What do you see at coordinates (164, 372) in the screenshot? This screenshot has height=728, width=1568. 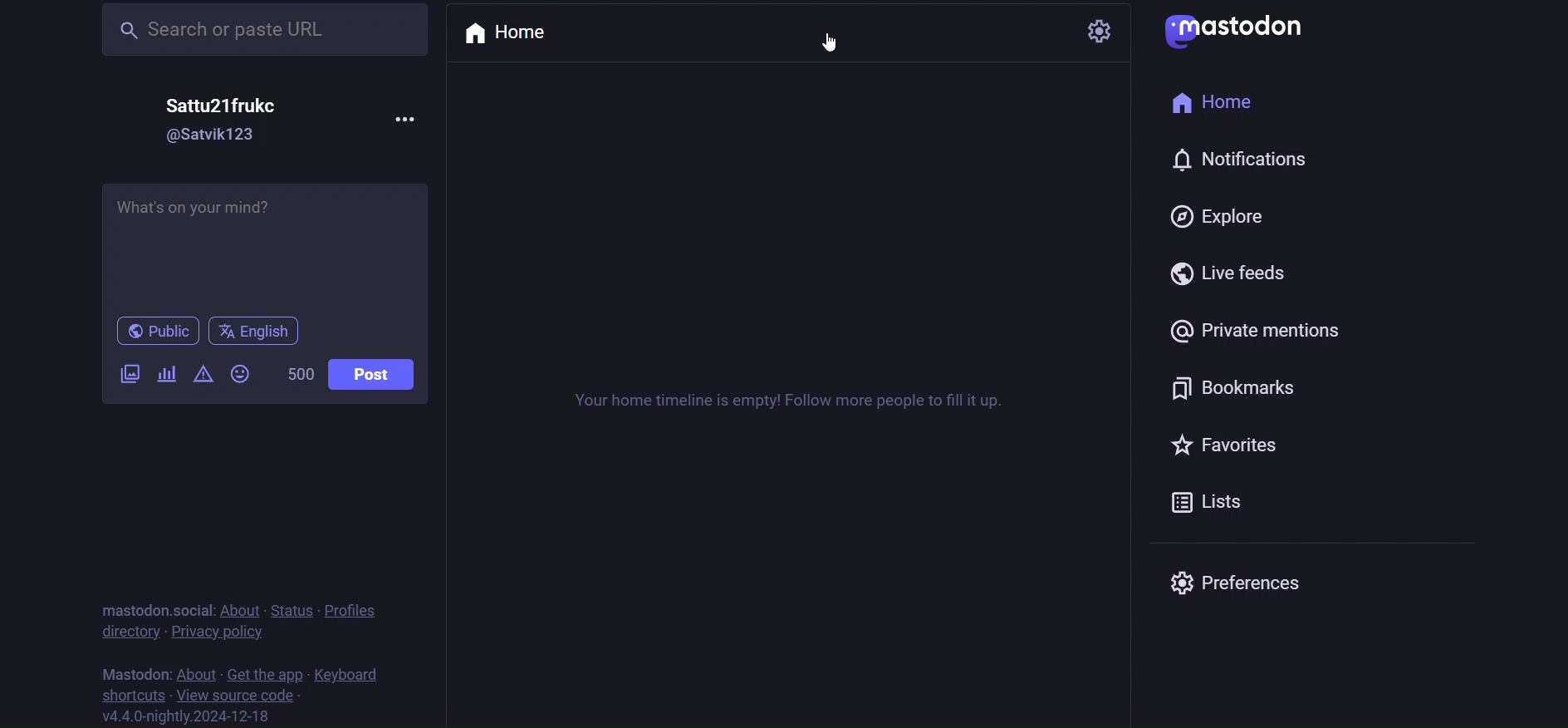 I see `poll` at bounding box center [164, 372].